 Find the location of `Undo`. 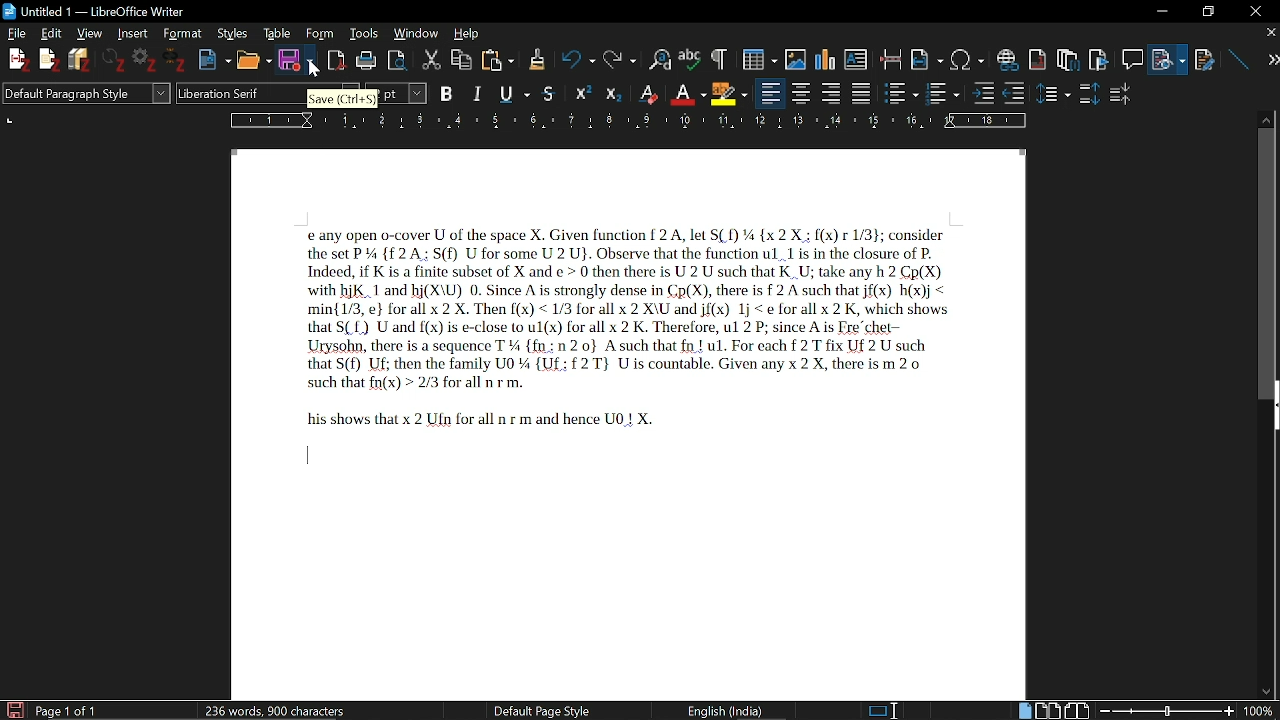

Undo is located at coordinates (572, 59).